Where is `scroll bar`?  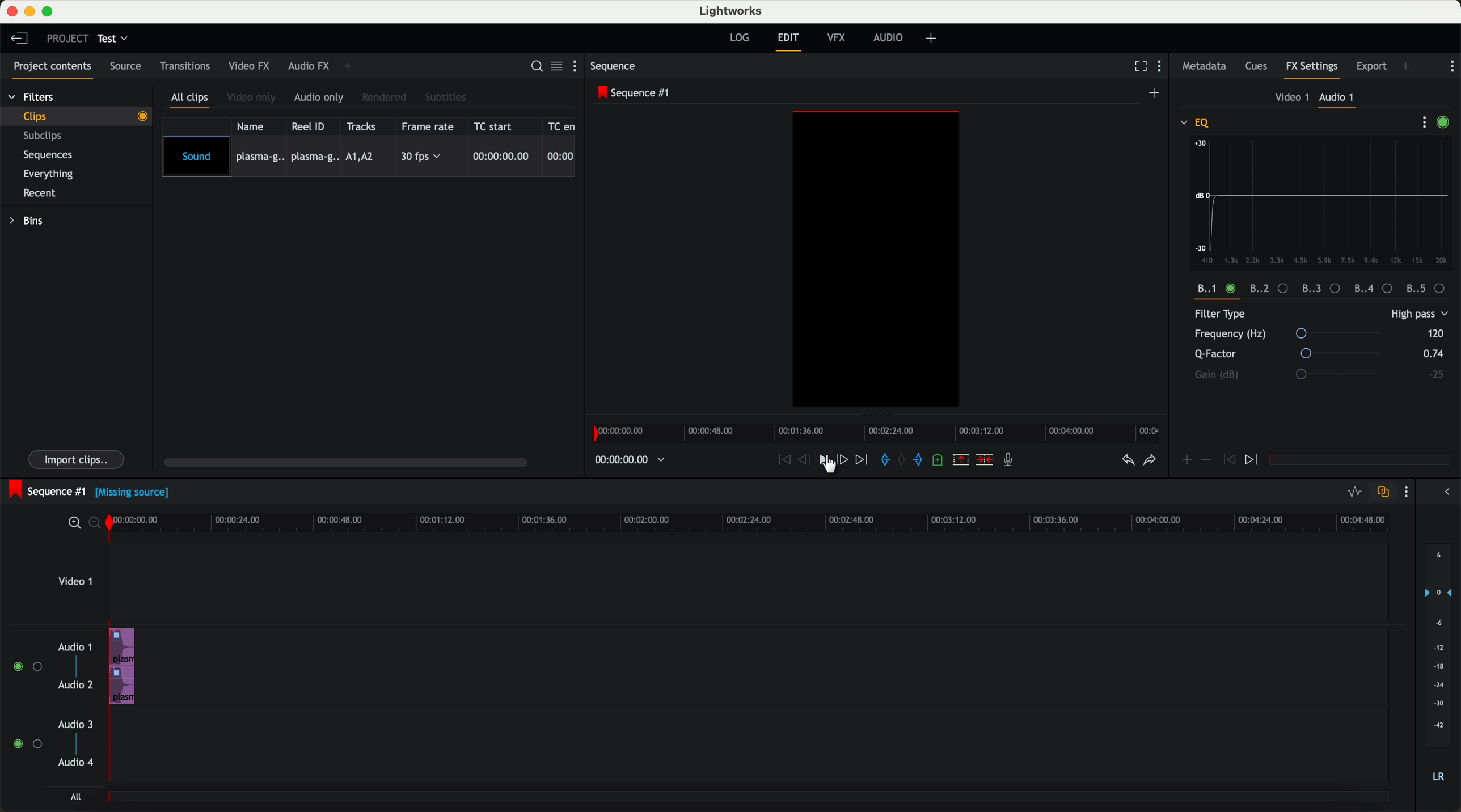 scroll bar is located at coordinates (352, 464).